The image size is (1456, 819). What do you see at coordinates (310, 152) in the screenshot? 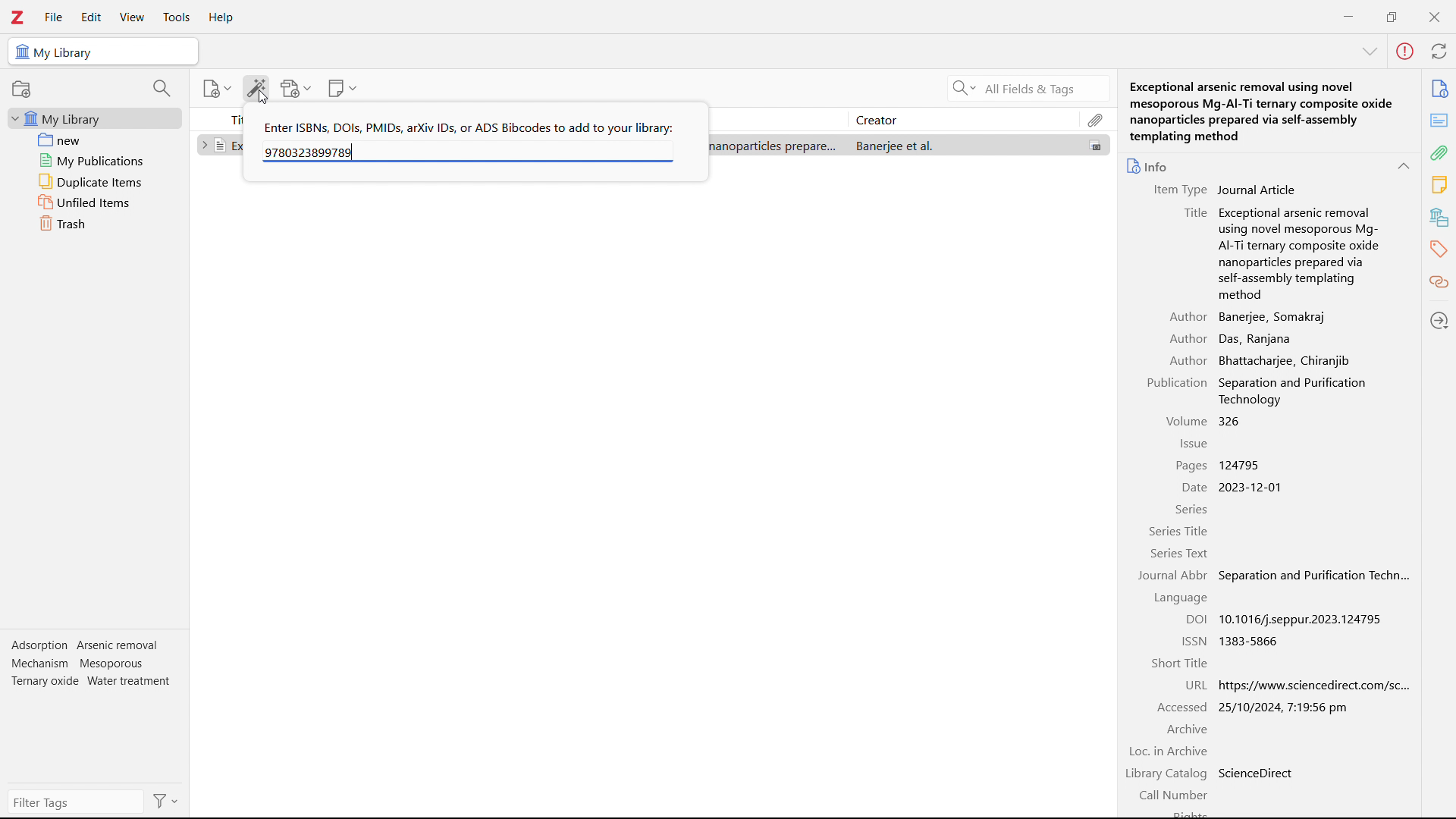
I see `ISBN entered into the search box` at bounding box center [310, 152].